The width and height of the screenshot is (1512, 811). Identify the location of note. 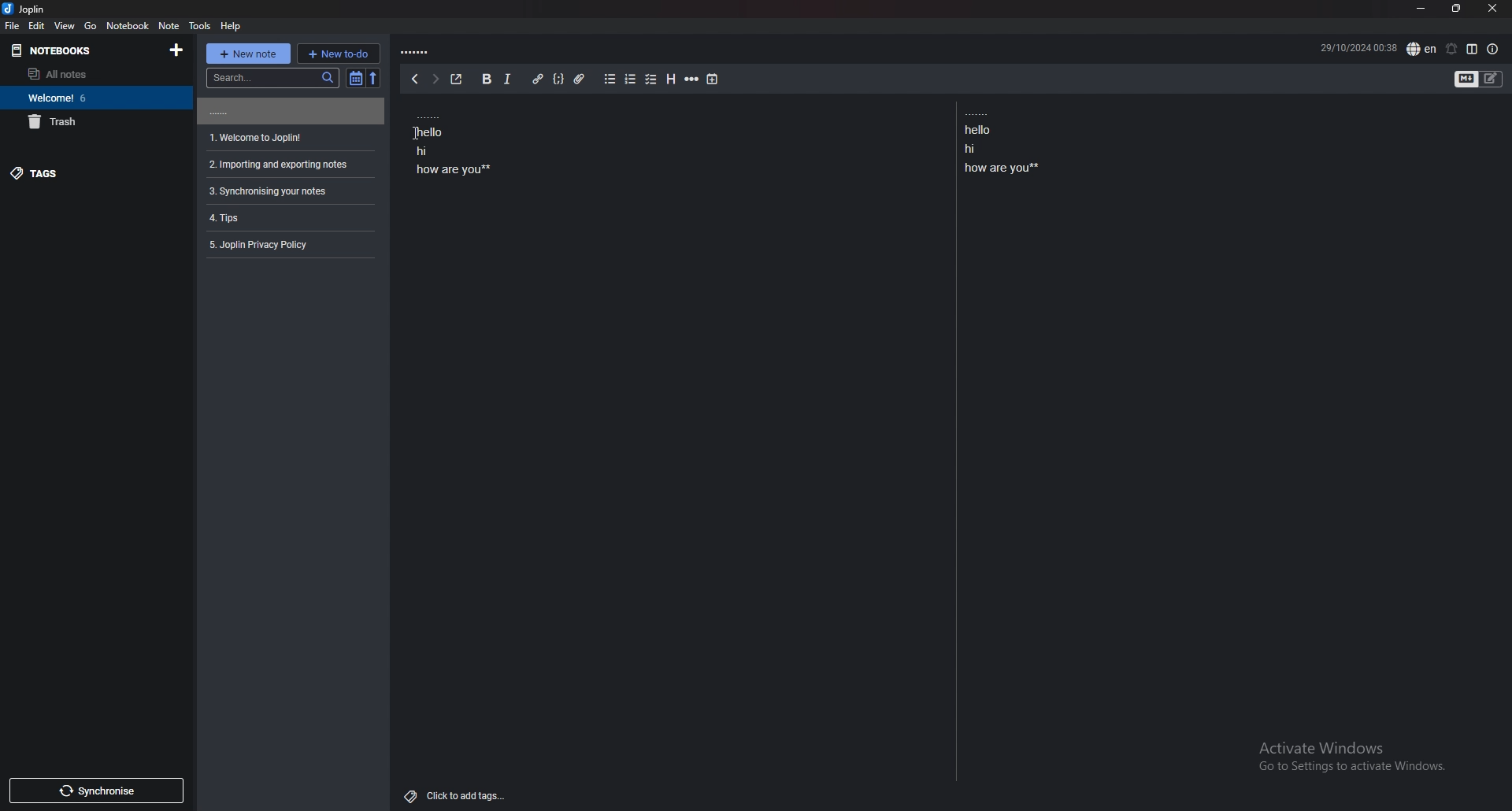
(287, 245).